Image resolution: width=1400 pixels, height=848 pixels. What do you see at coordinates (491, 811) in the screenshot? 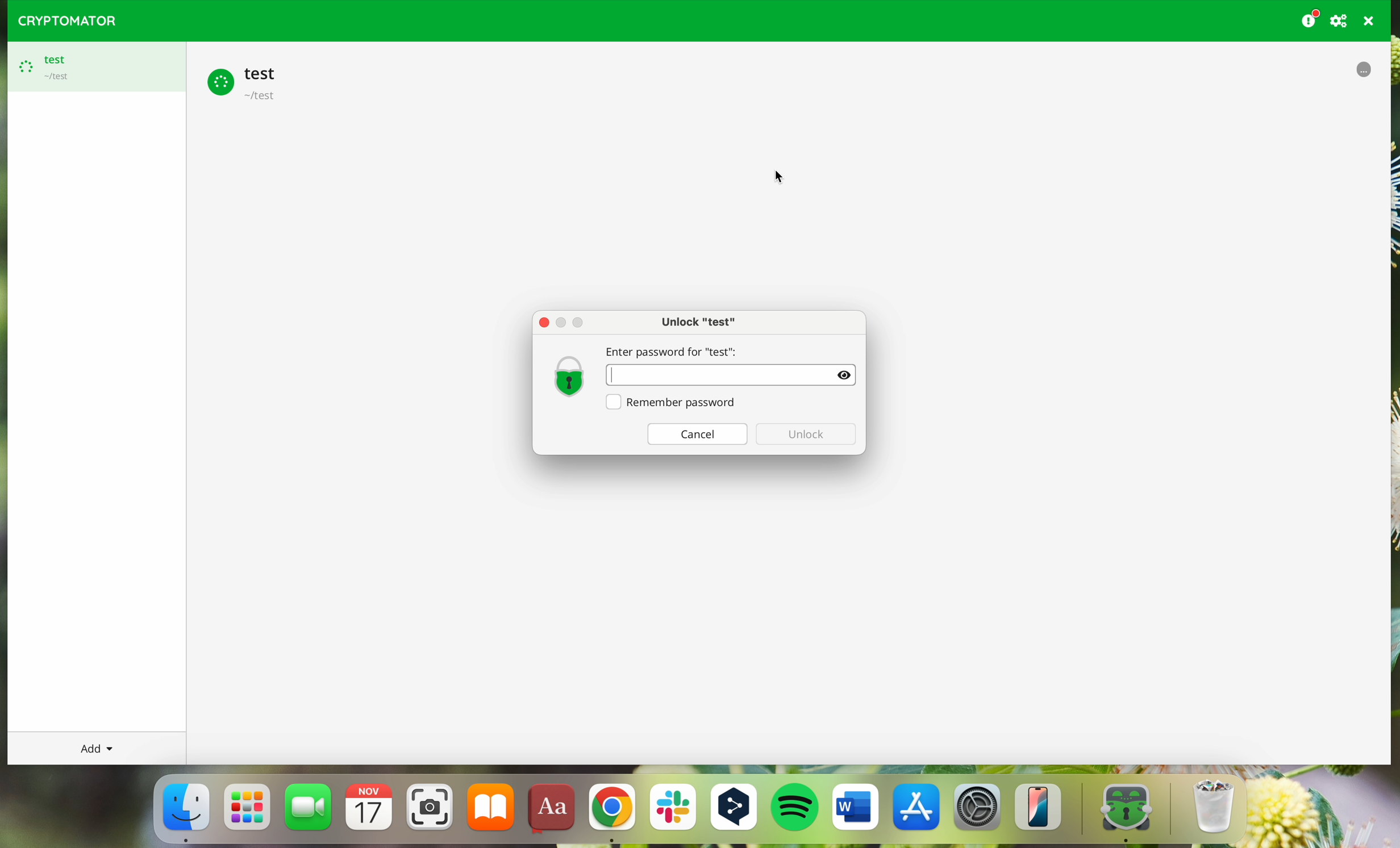
I see `iBooks` at bounding box center [491, 811].